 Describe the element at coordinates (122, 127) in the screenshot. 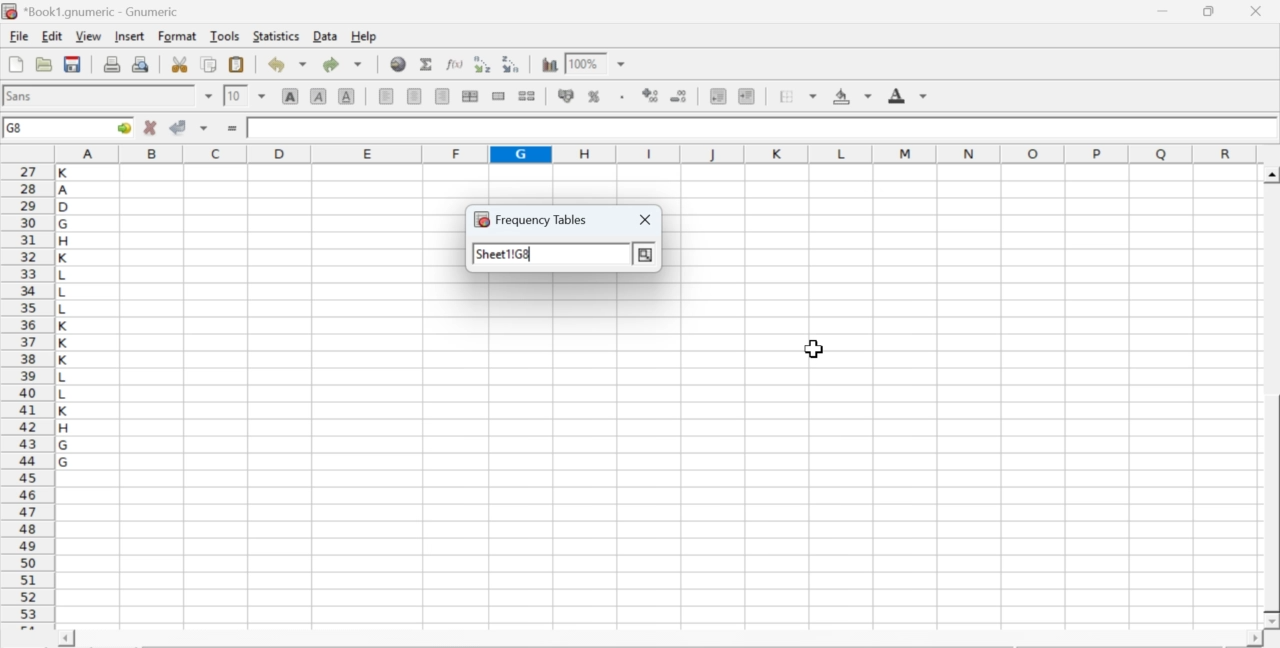

I see `go to` at that location.